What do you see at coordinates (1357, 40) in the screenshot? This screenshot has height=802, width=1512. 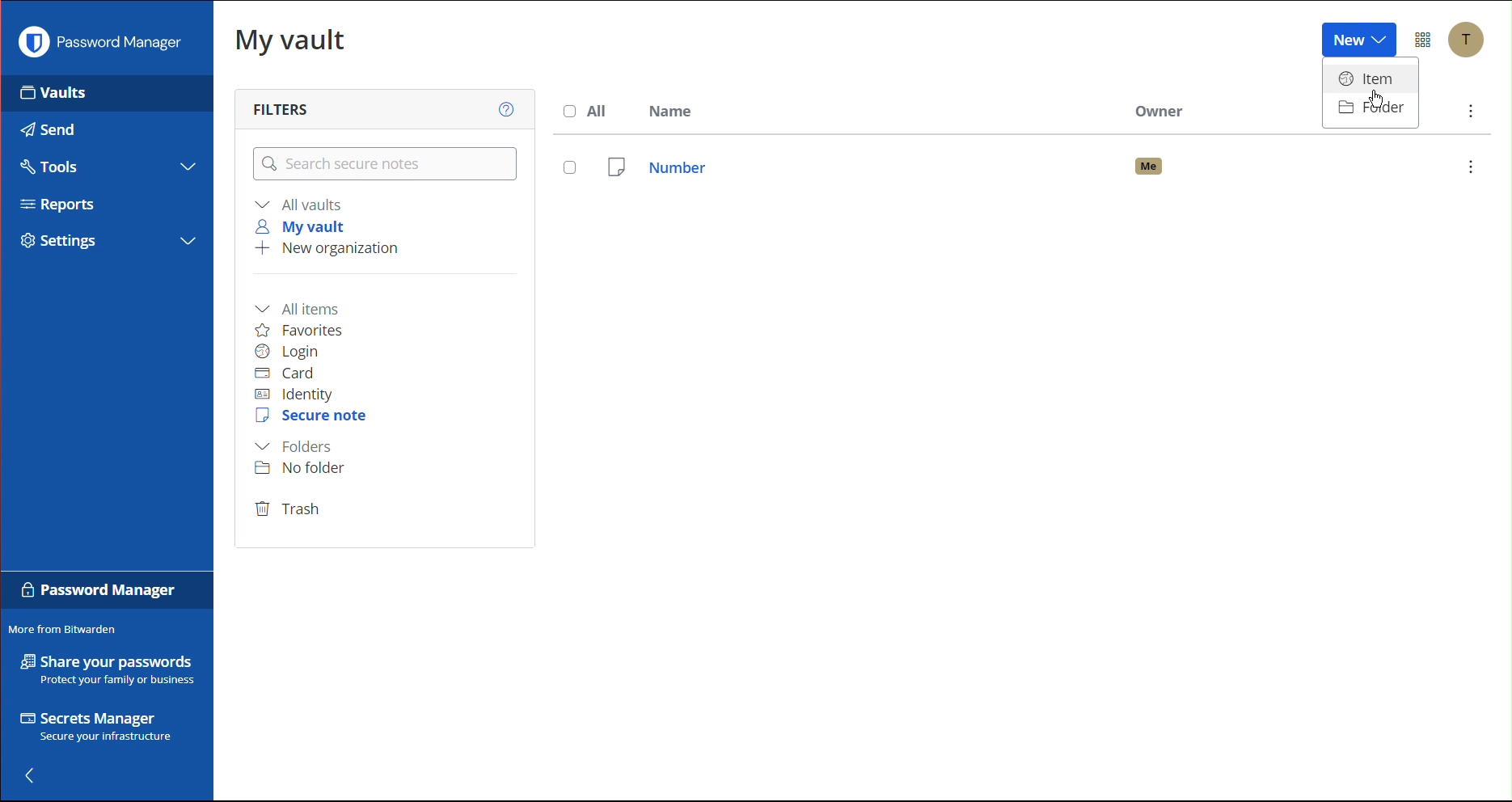 I see `New` at bounding box center [1357, 40].